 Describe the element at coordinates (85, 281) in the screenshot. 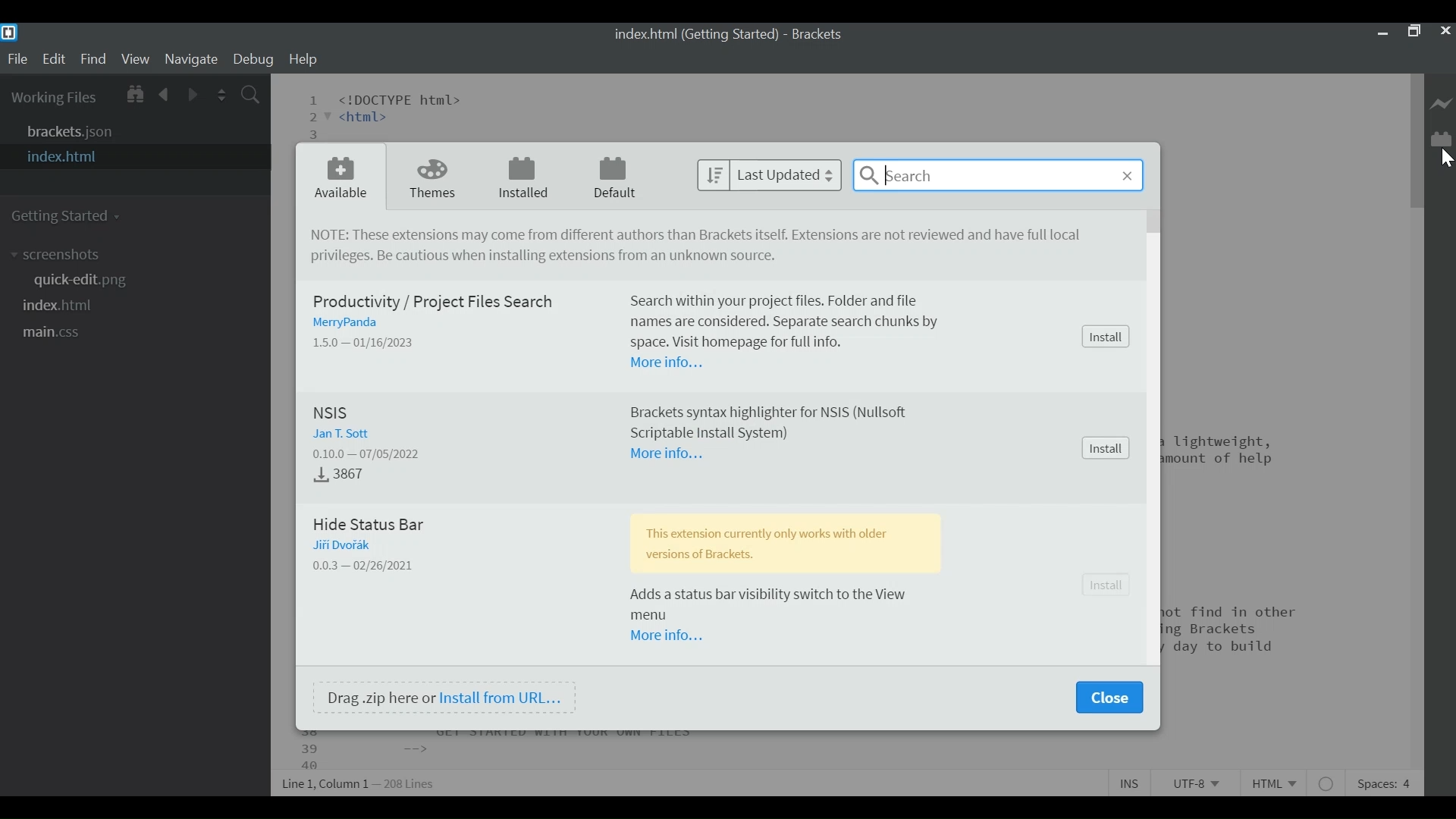

I see `quickedit.png` at that location.